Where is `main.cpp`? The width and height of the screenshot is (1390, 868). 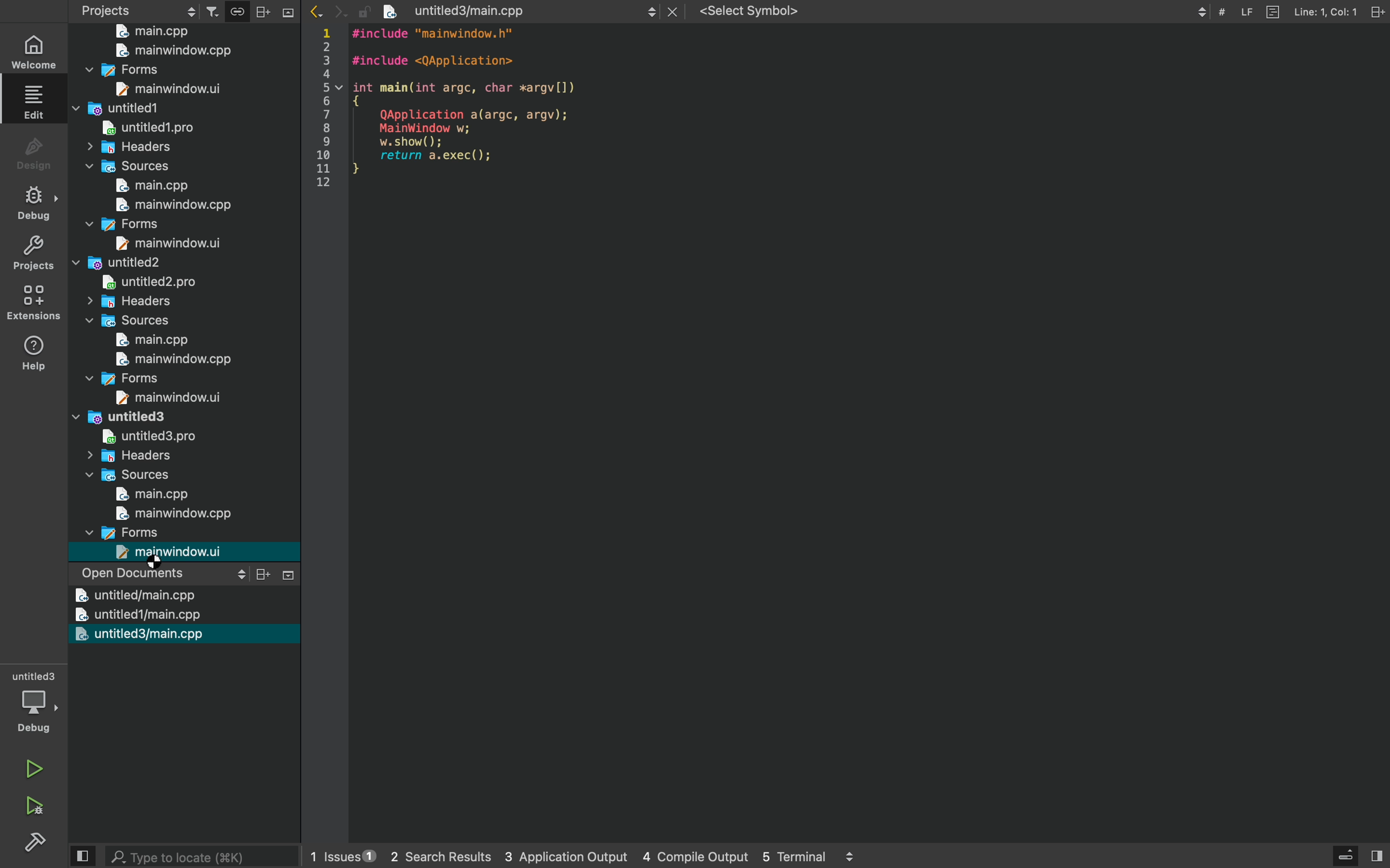 main.cpp is located at coordinates (175, 204).